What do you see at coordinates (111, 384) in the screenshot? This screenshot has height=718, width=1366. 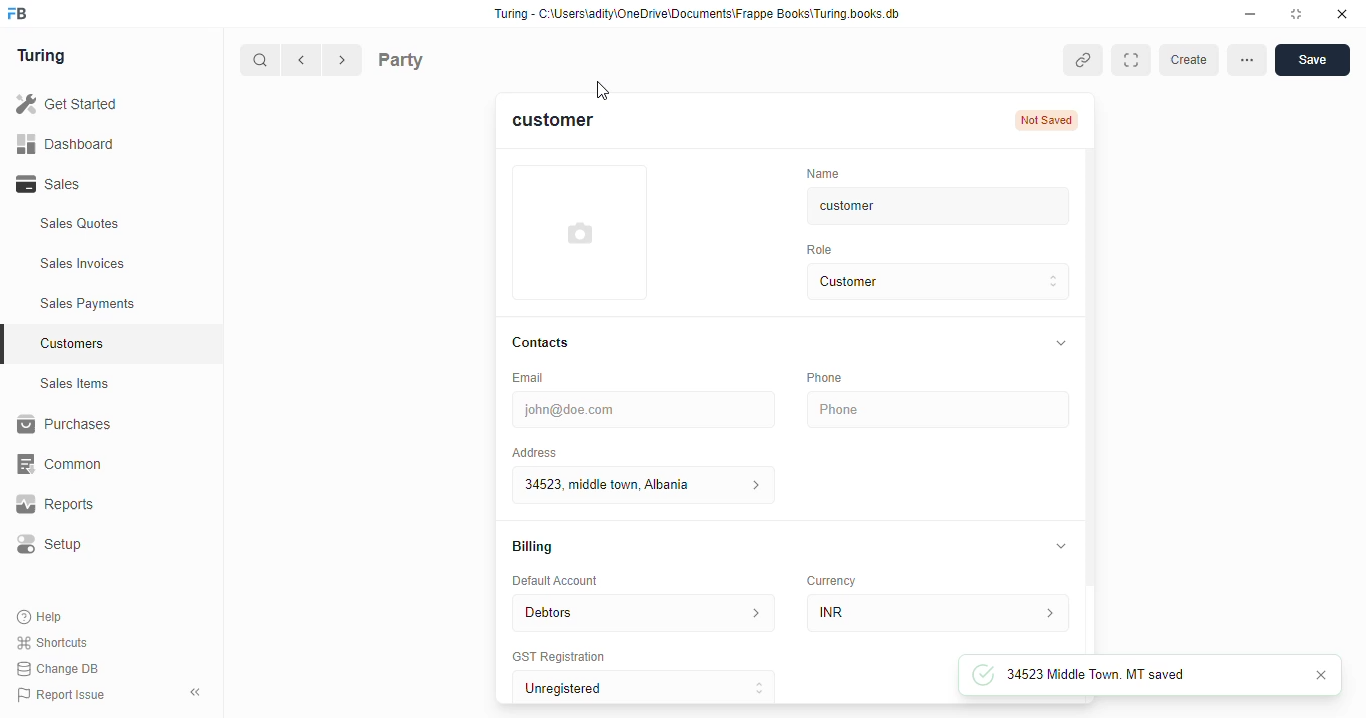 I see `Sales Items.` at bounding box center [111, 384].